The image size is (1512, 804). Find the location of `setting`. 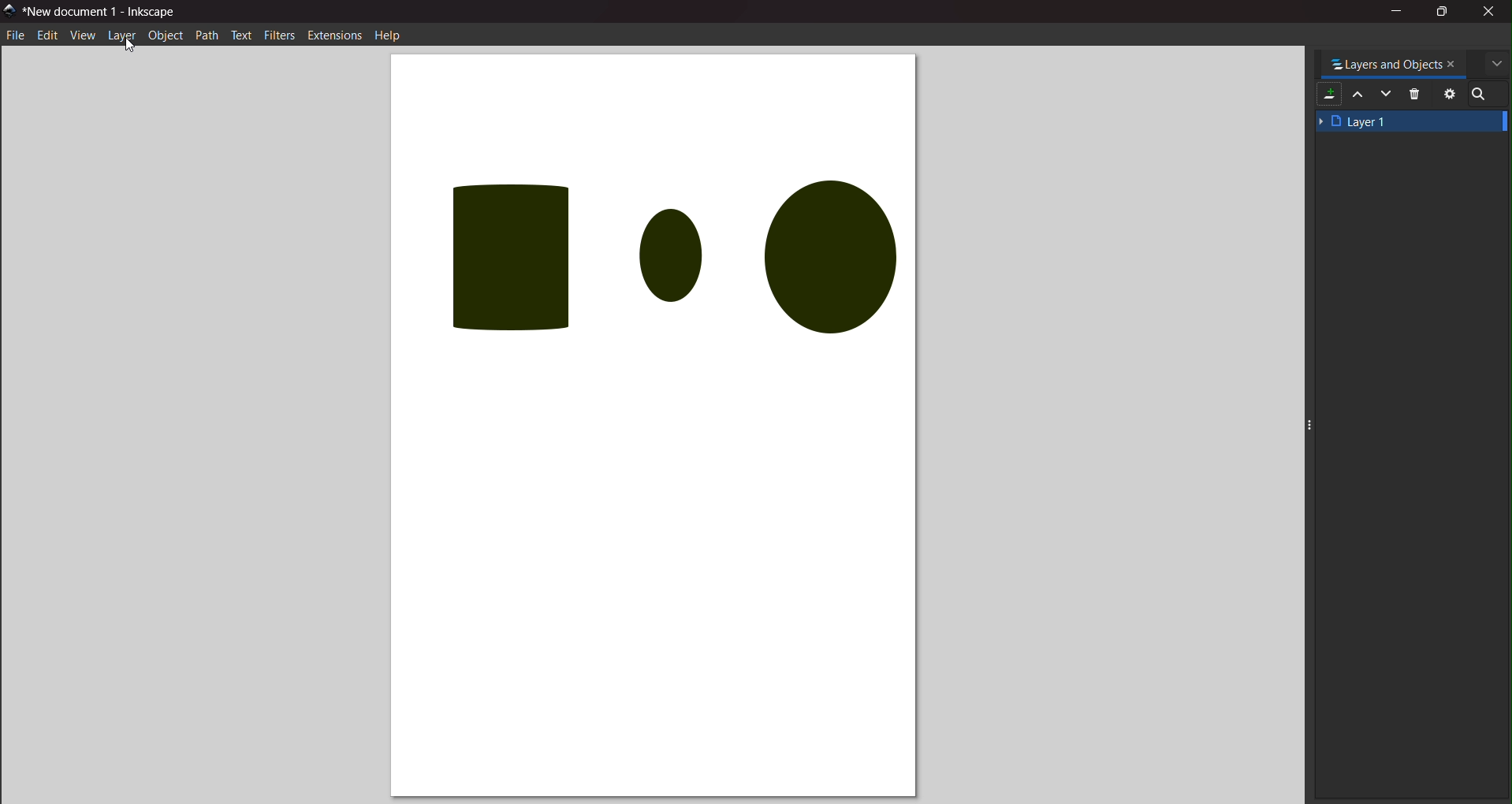

setting is located at coordinates (1449, 94).